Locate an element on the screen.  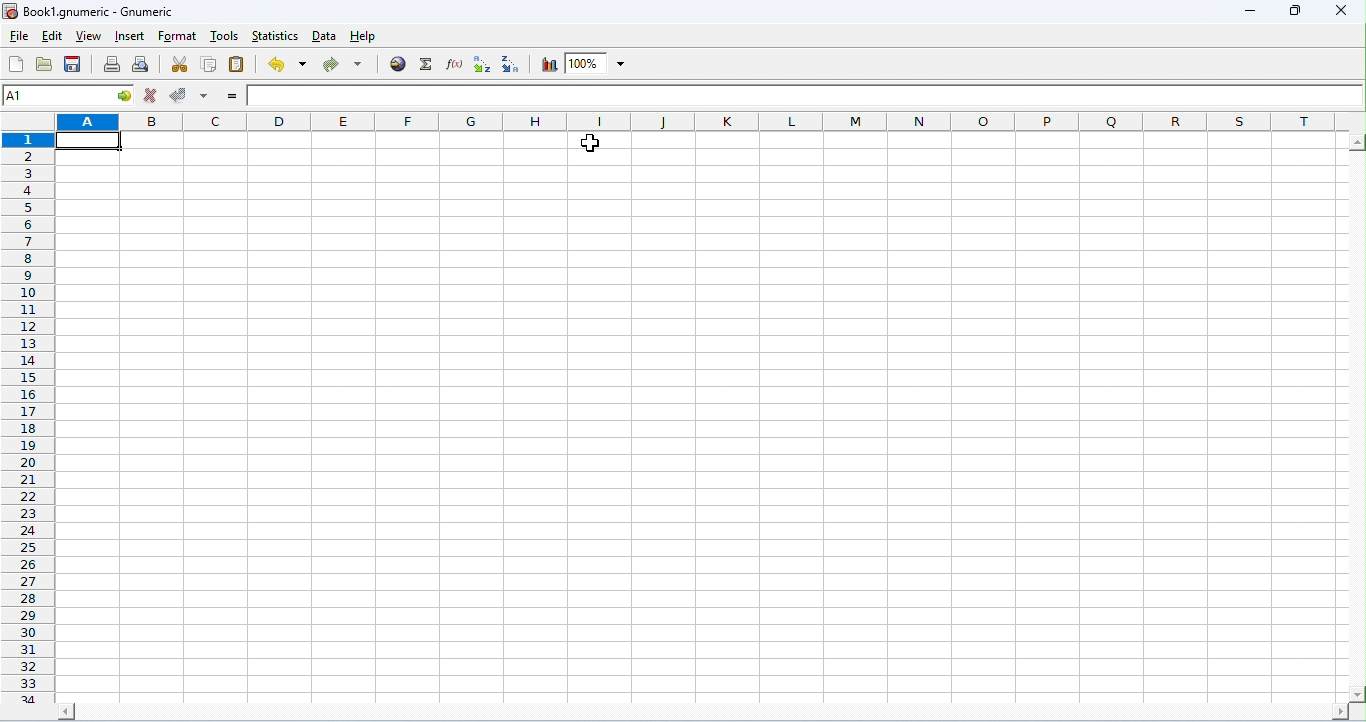
accept multiple changes is located at coordinates (205, 97).